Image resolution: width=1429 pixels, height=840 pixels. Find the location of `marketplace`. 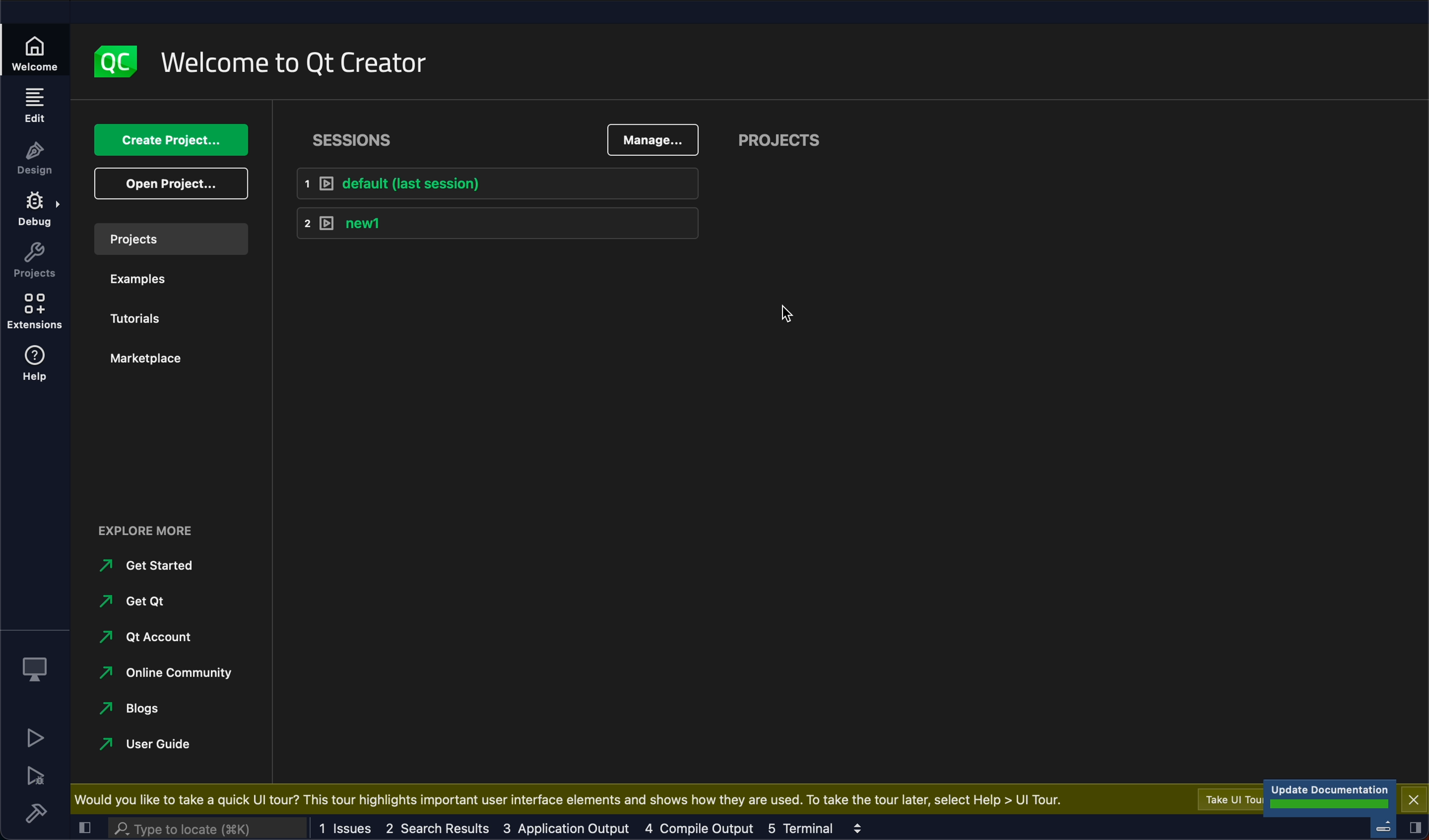

marketplace is located at coordinates (148, 364).